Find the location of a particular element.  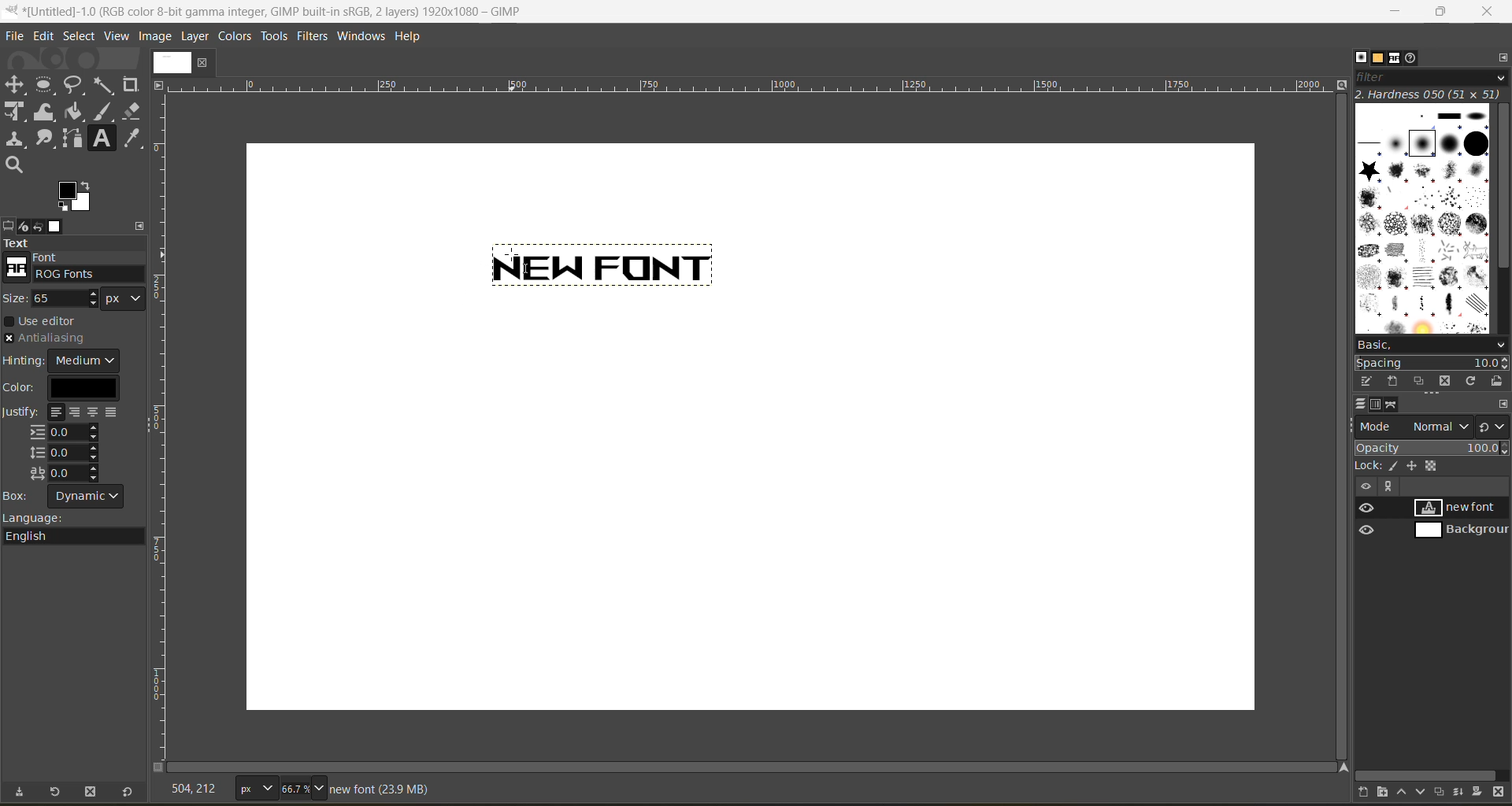

edit this brush is located at coordinates (1369, 379).